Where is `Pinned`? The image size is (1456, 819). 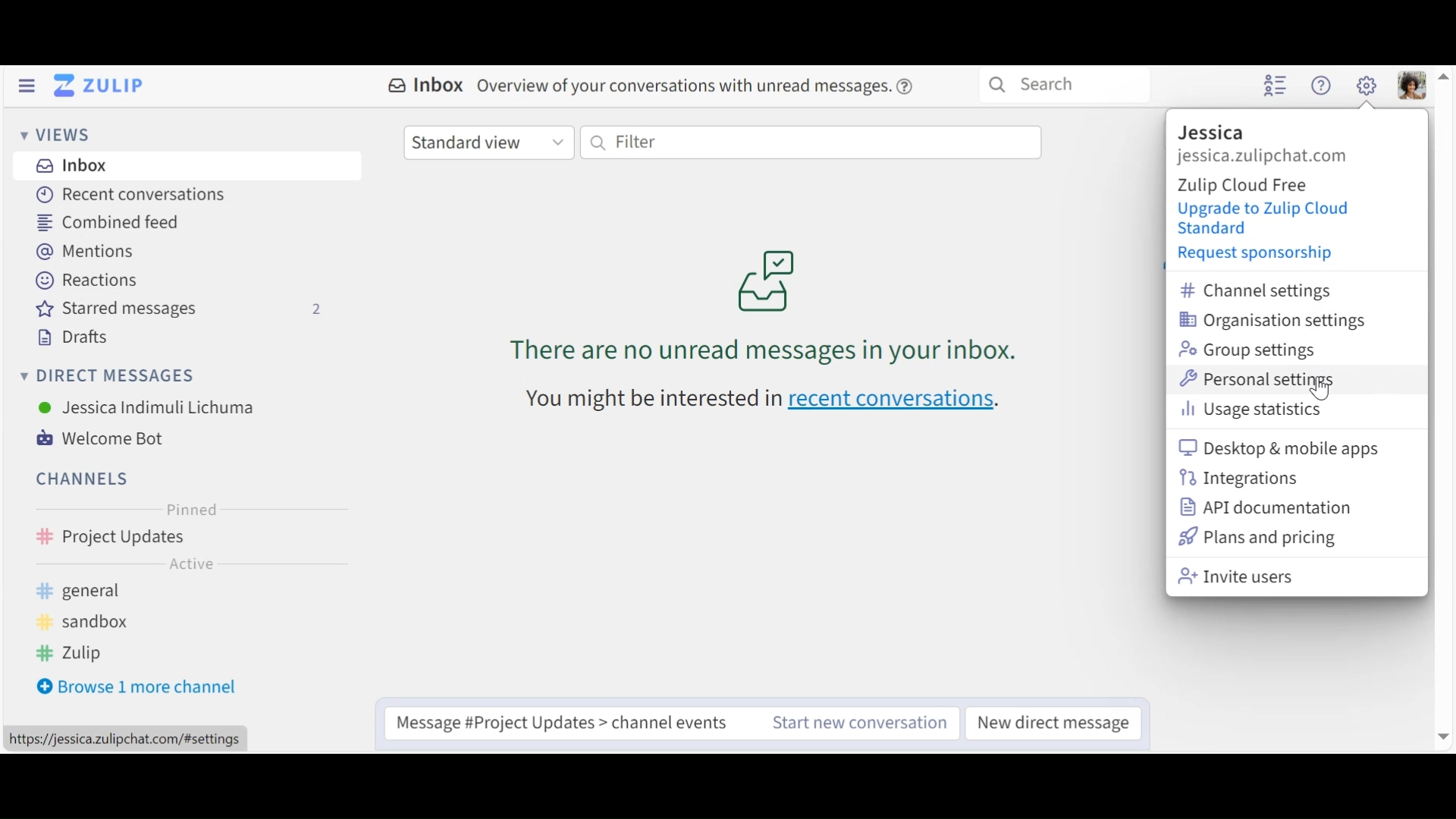
Pinned is located at coordinates (184, 509).